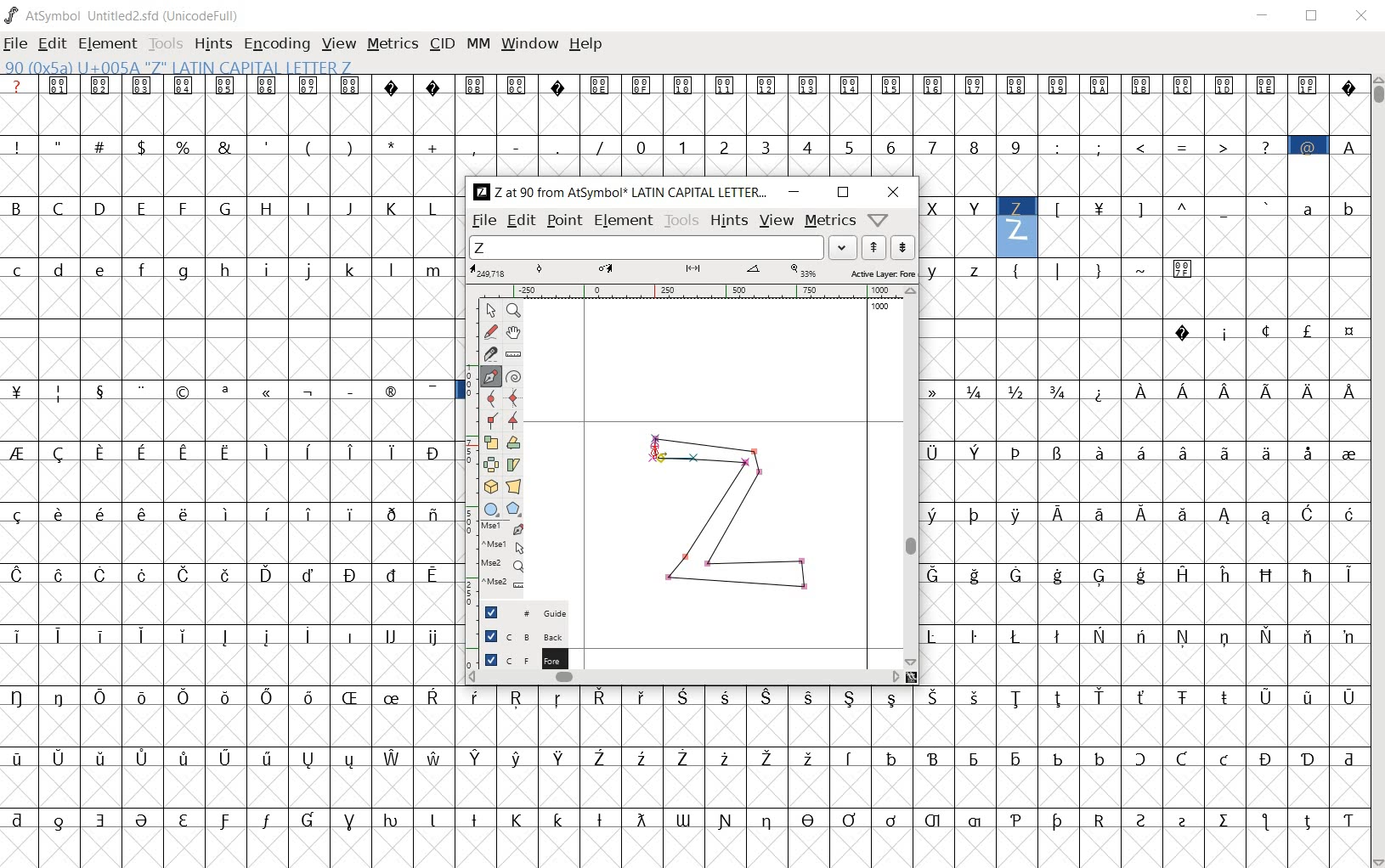 The height and width of the screenshot is (868, 1385). I want to click on glyphs, so click(229, 462).